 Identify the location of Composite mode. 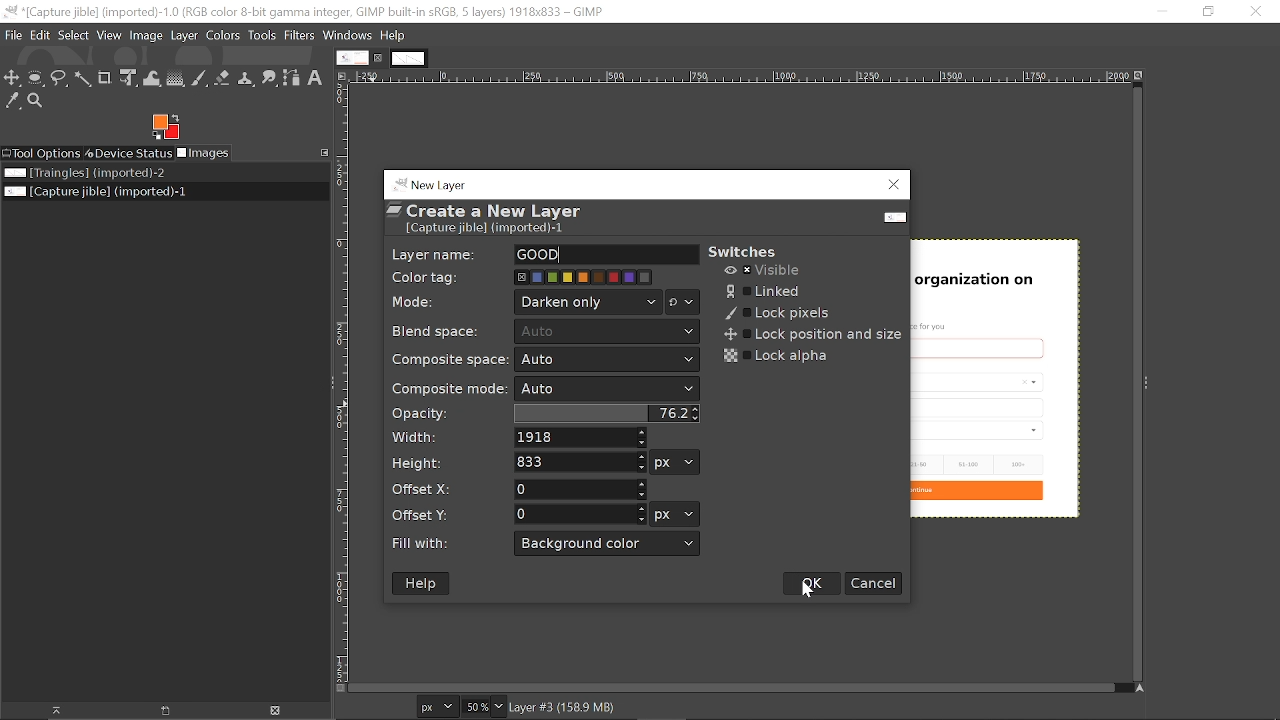
(607, 389).